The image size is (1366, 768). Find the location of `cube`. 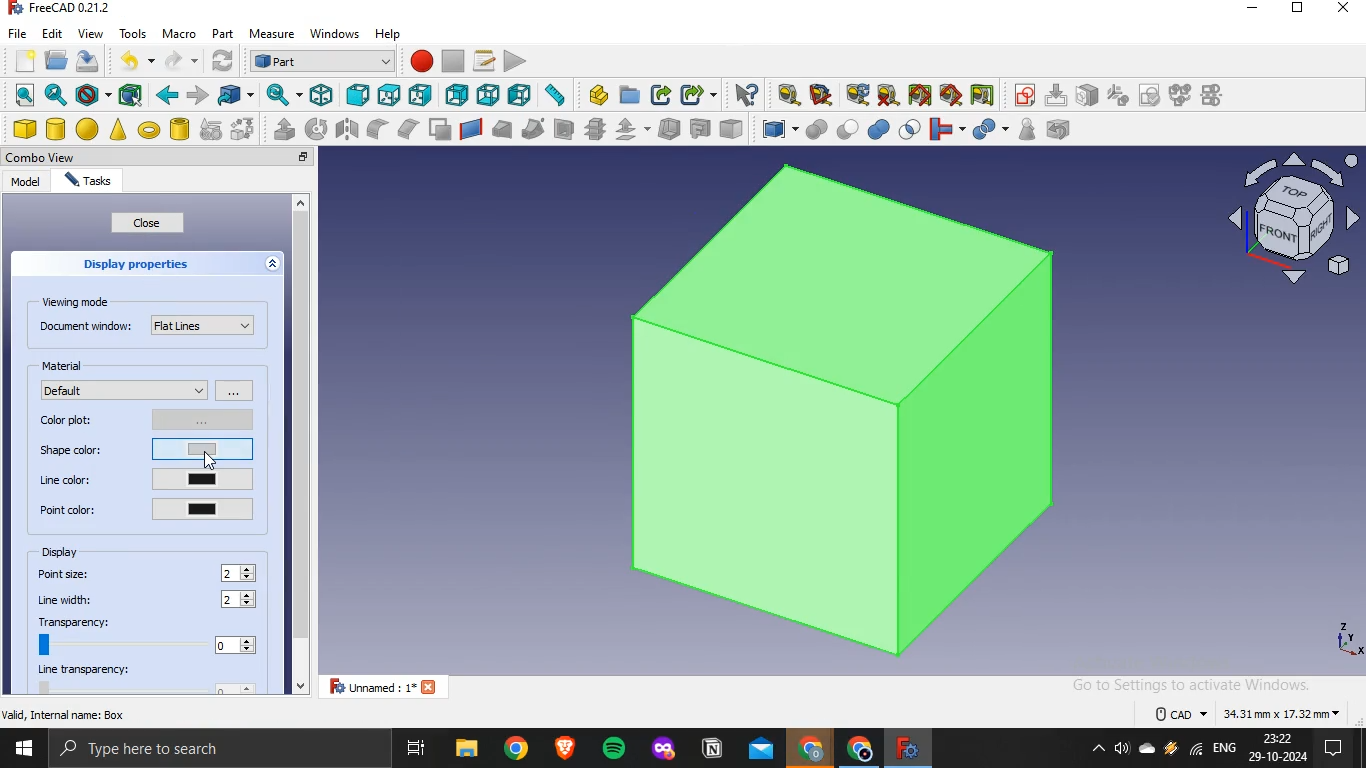

cube is located at coordinates (24, 129).